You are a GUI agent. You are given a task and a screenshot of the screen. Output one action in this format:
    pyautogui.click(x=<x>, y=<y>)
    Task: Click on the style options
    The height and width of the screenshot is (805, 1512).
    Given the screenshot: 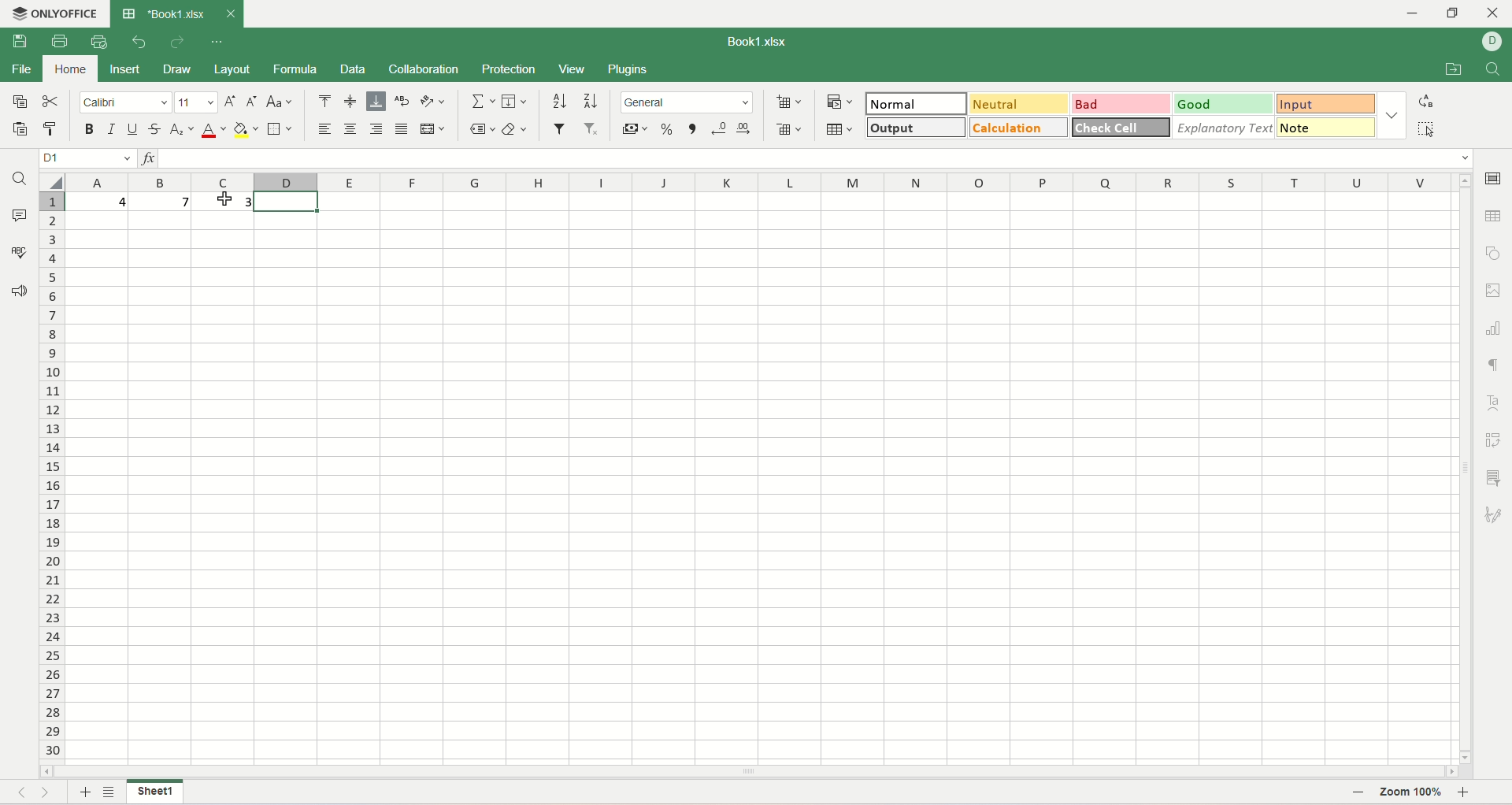 What is the action you would take?
    pyautogui.click(x=1392, y=114)
    